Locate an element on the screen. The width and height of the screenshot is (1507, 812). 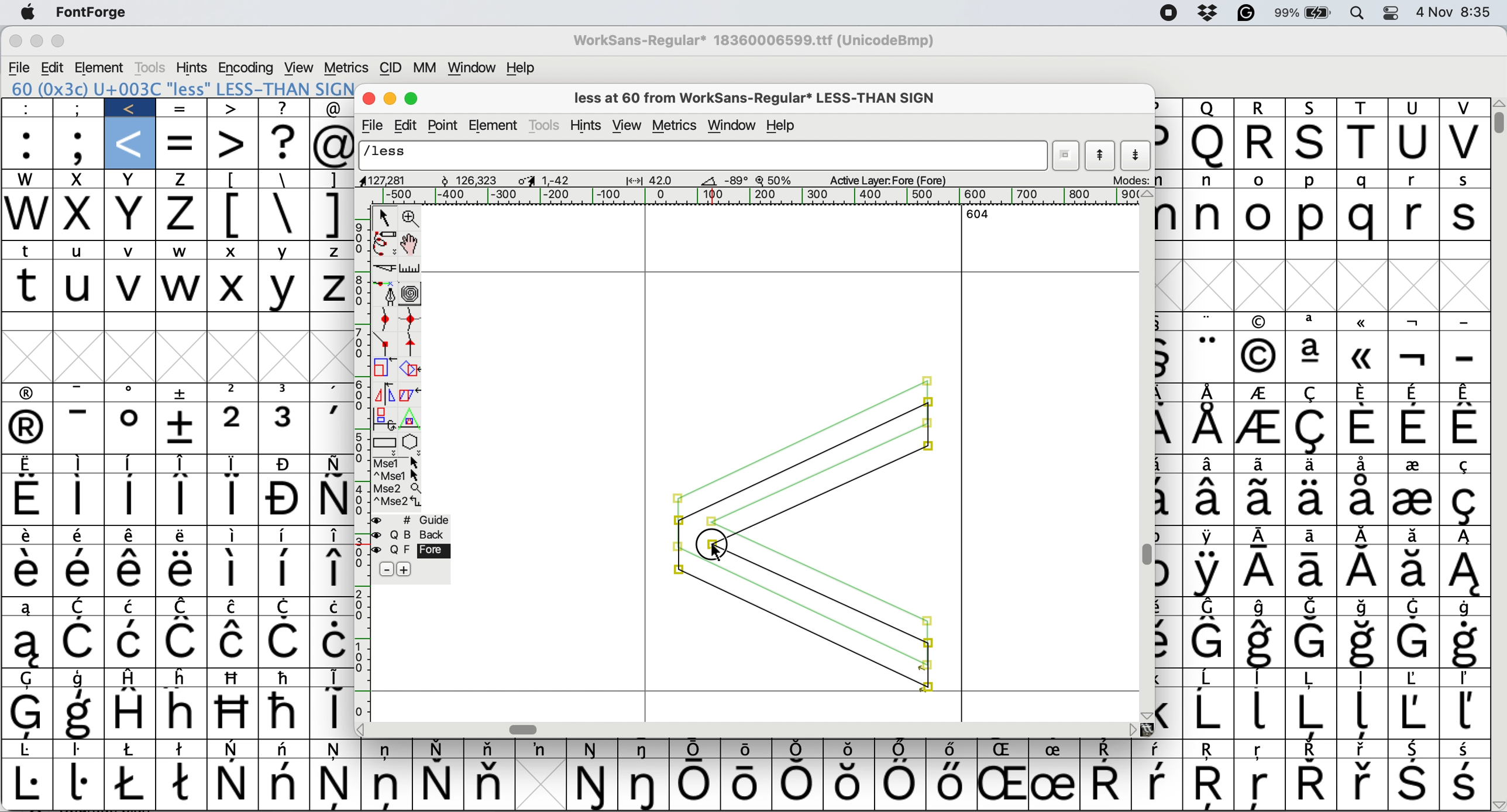
metrics is located at coordinates (675, 126).